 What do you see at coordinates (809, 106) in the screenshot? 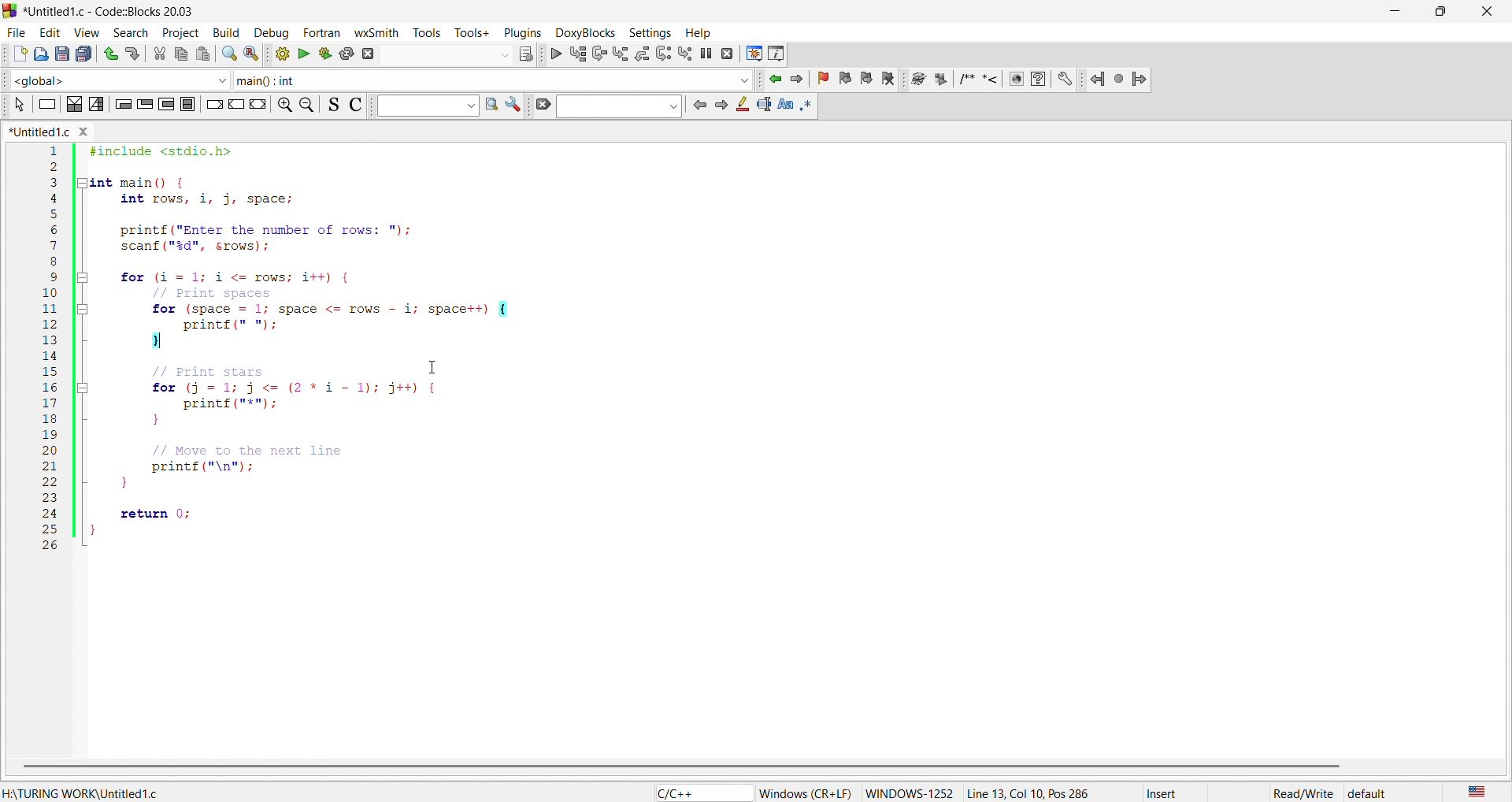
I see `use regex` at bounding box center [809, 106].